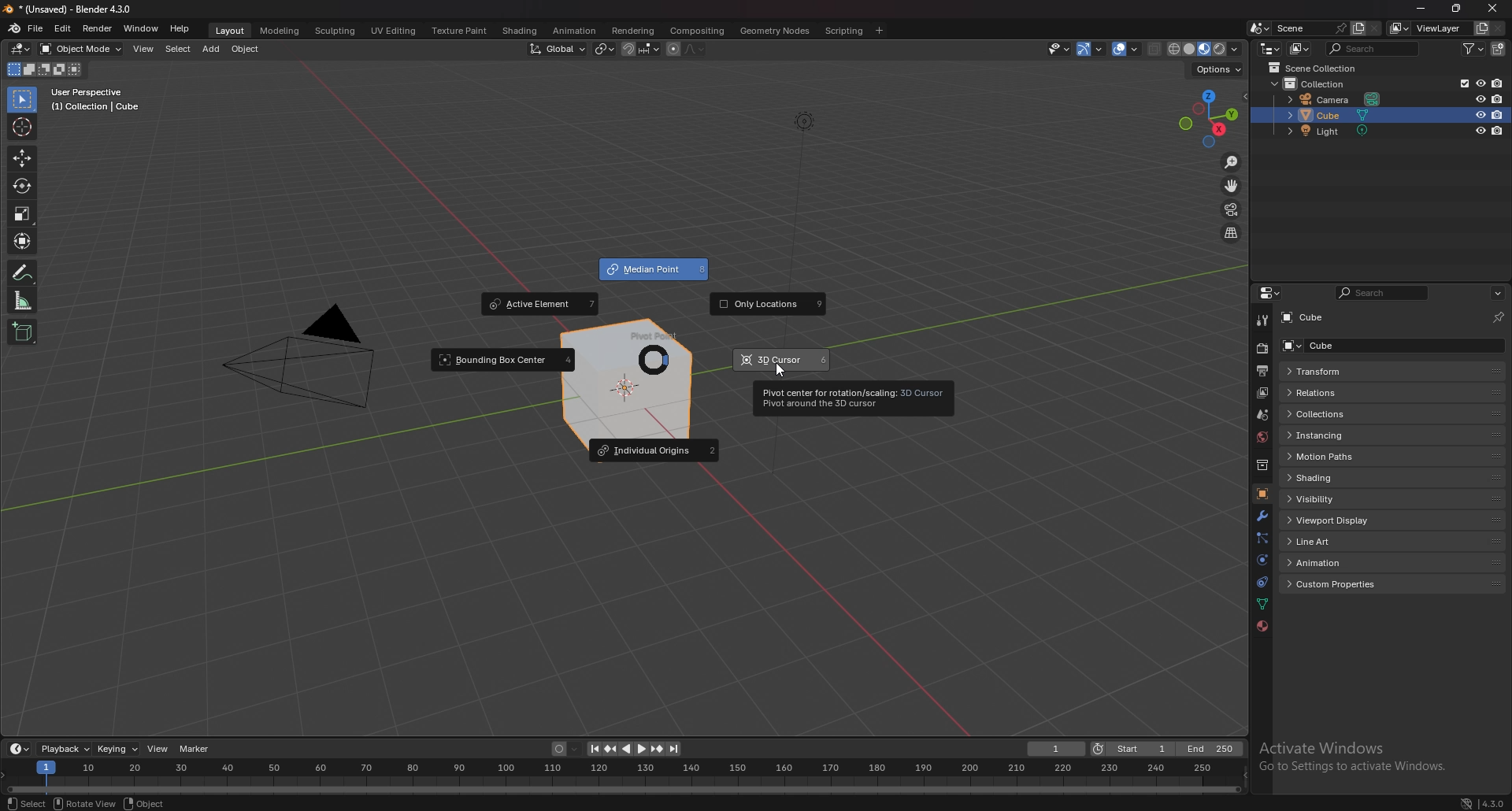 This screenshot has height=811, width=1512. Describe the element at coordinates (37, 28) in the screenshot. I see `file` at that location.